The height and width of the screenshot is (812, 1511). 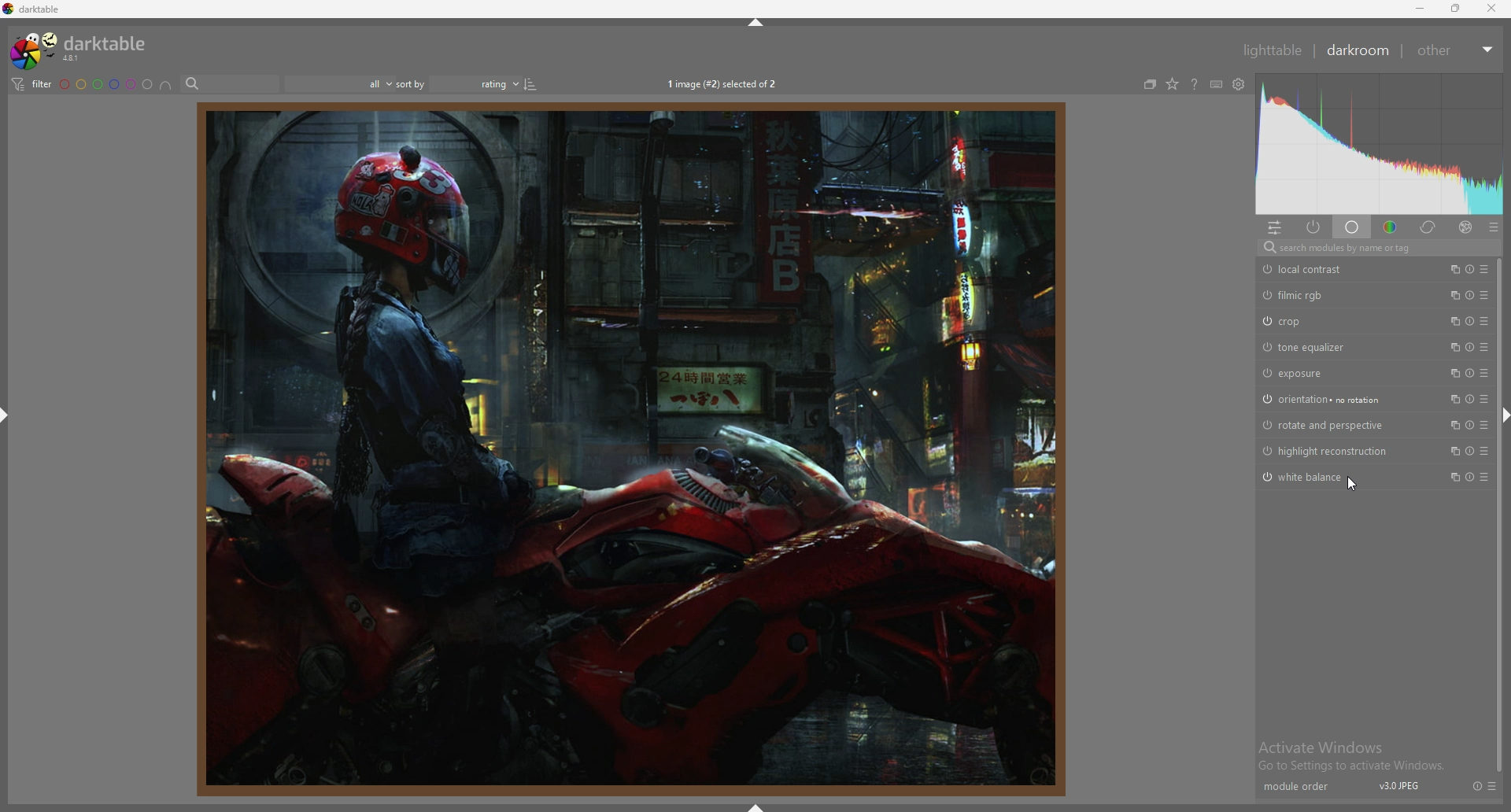 What do you see at coordinates (1470, 295) in the screenshot?
I see `reset` at bounding box center [1470, 295].